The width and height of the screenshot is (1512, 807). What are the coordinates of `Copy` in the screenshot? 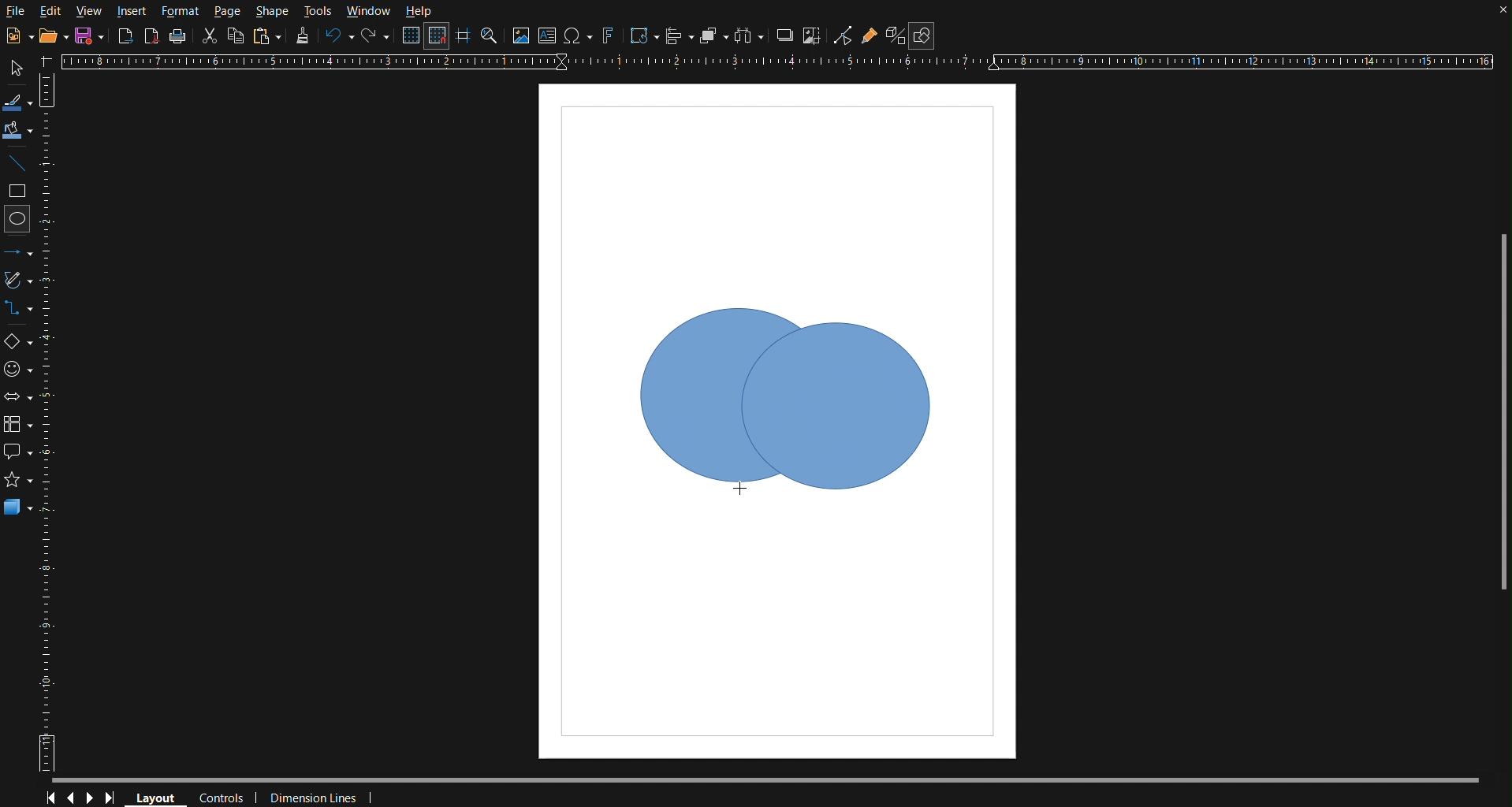 It's located at (236, 35).